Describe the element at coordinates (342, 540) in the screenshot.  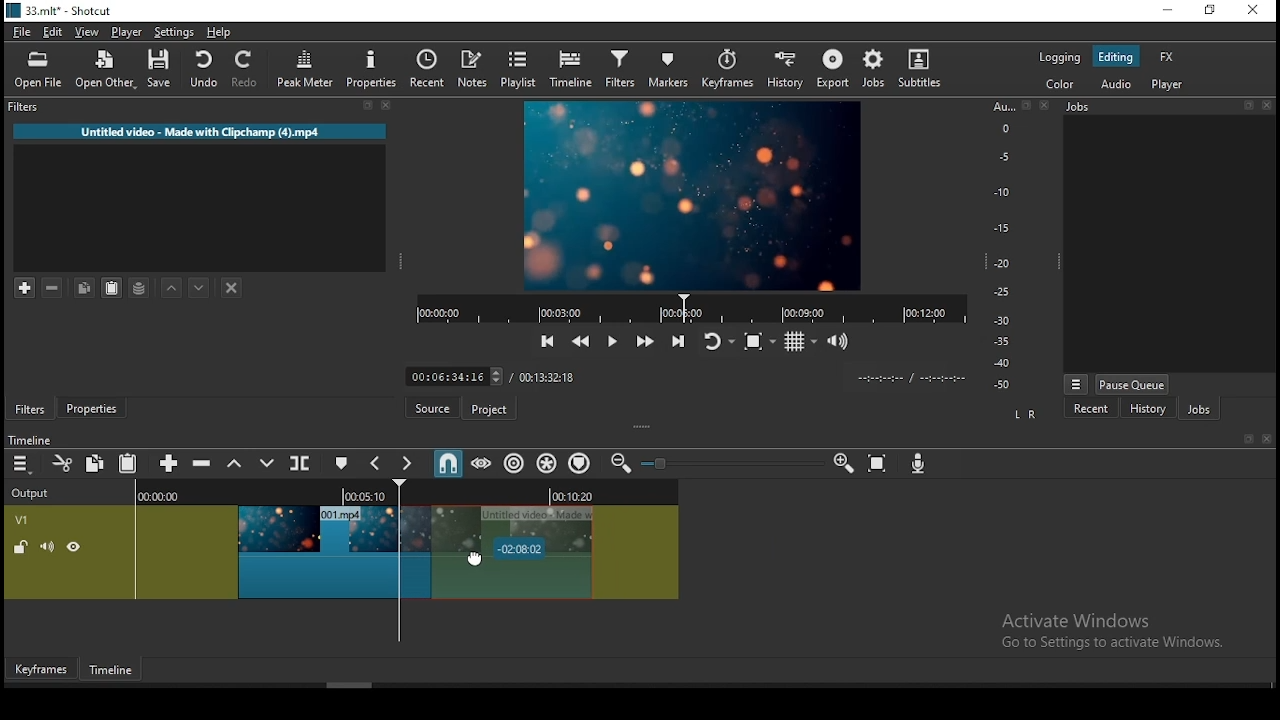
I see `video track` at that location.